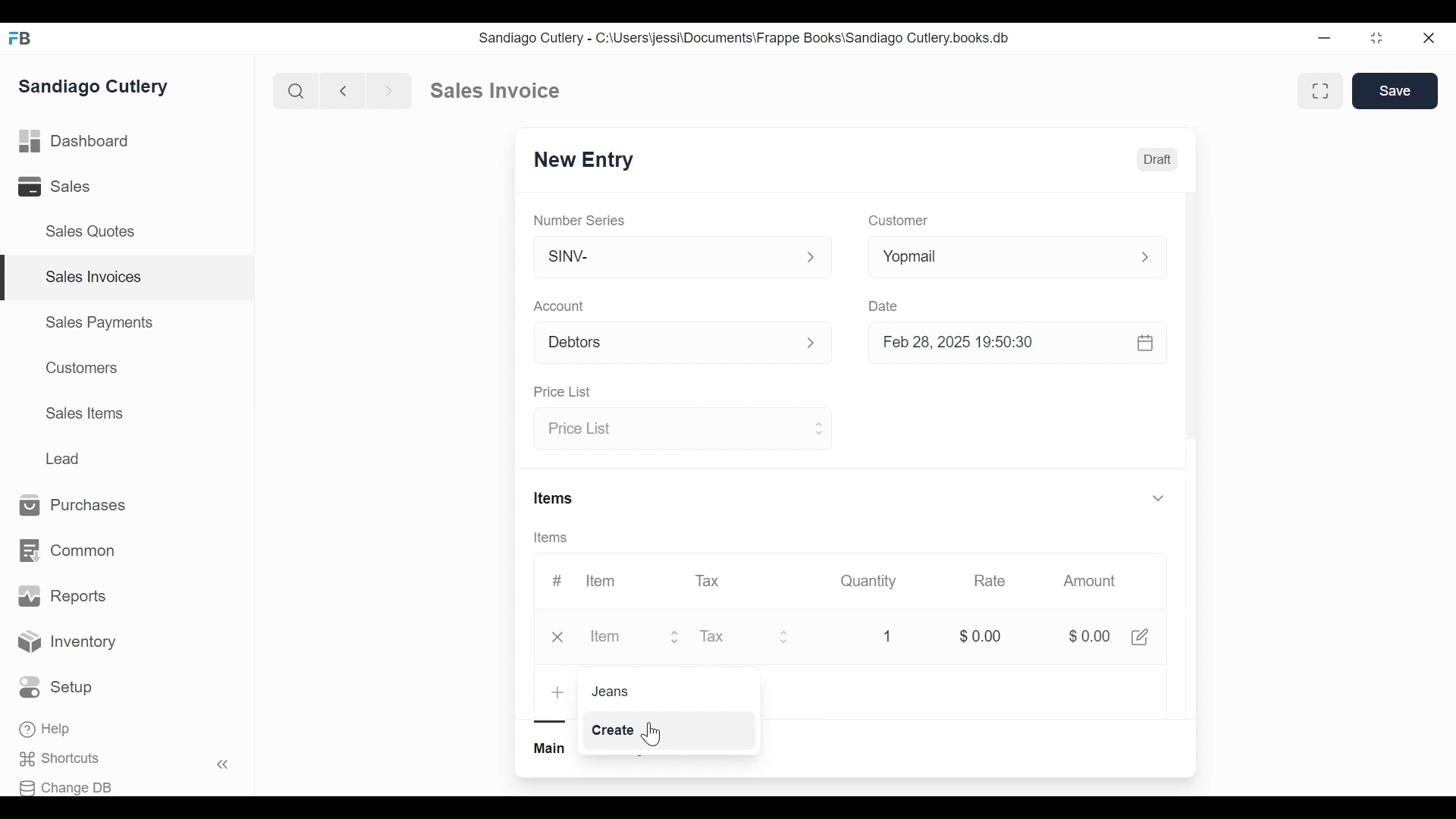 Image resolution: width=1456 pixels, height=819 pixels. What do you see at coordinates (558, 693) in the screenshot?
I see `+ add row` at bounding box center [558, 693].